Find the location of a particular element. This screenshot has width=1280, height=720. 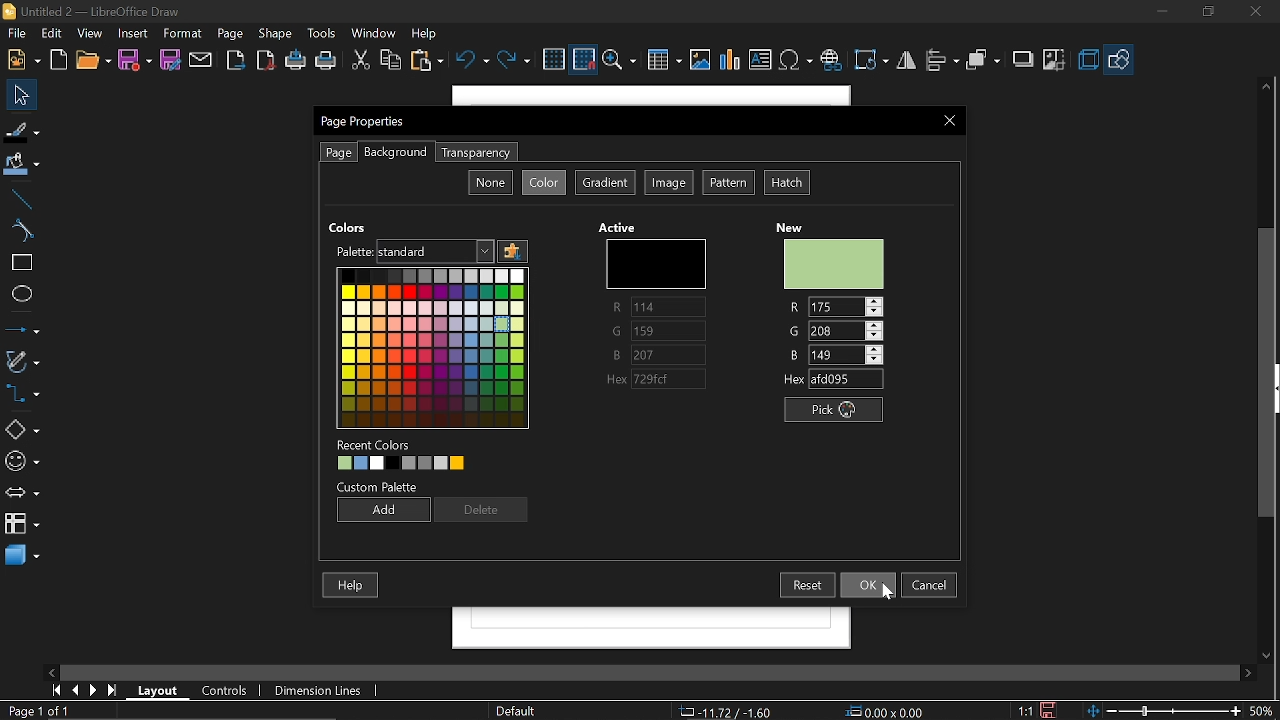

Copy is located at coordinates (392, 62).